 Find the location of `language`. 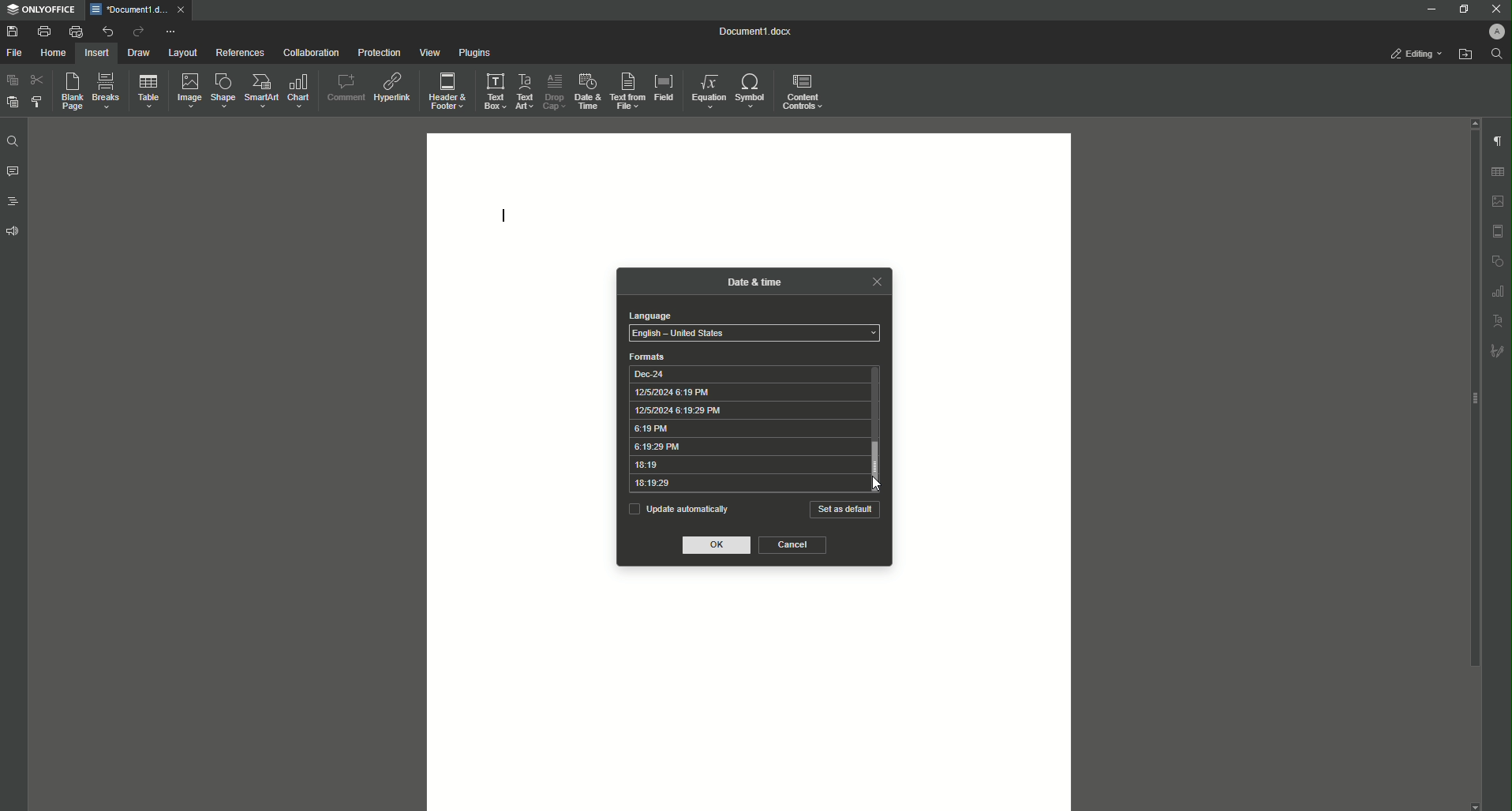

language is located at coordinates (649, 316).